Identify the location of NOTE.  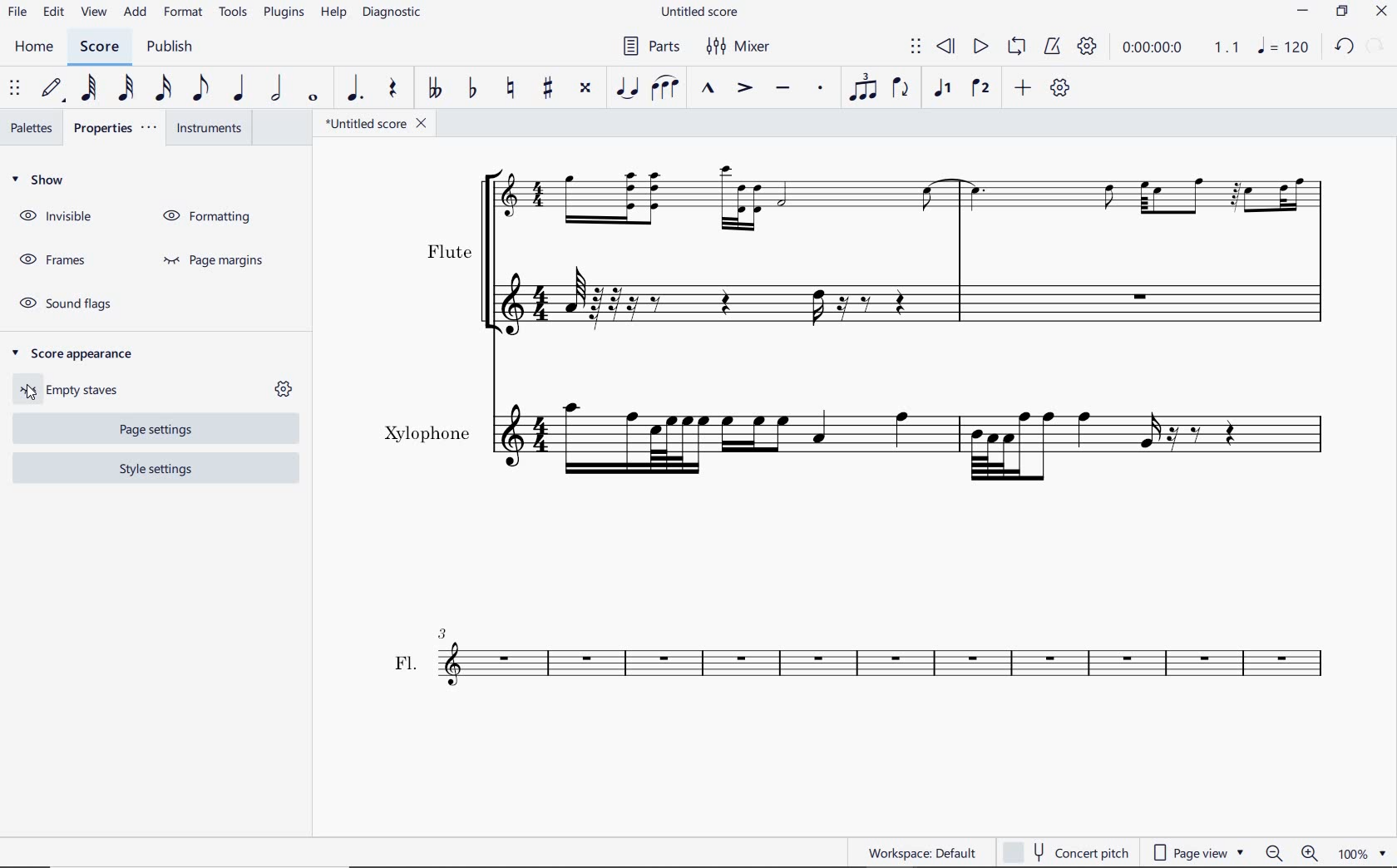
(1286, 47).